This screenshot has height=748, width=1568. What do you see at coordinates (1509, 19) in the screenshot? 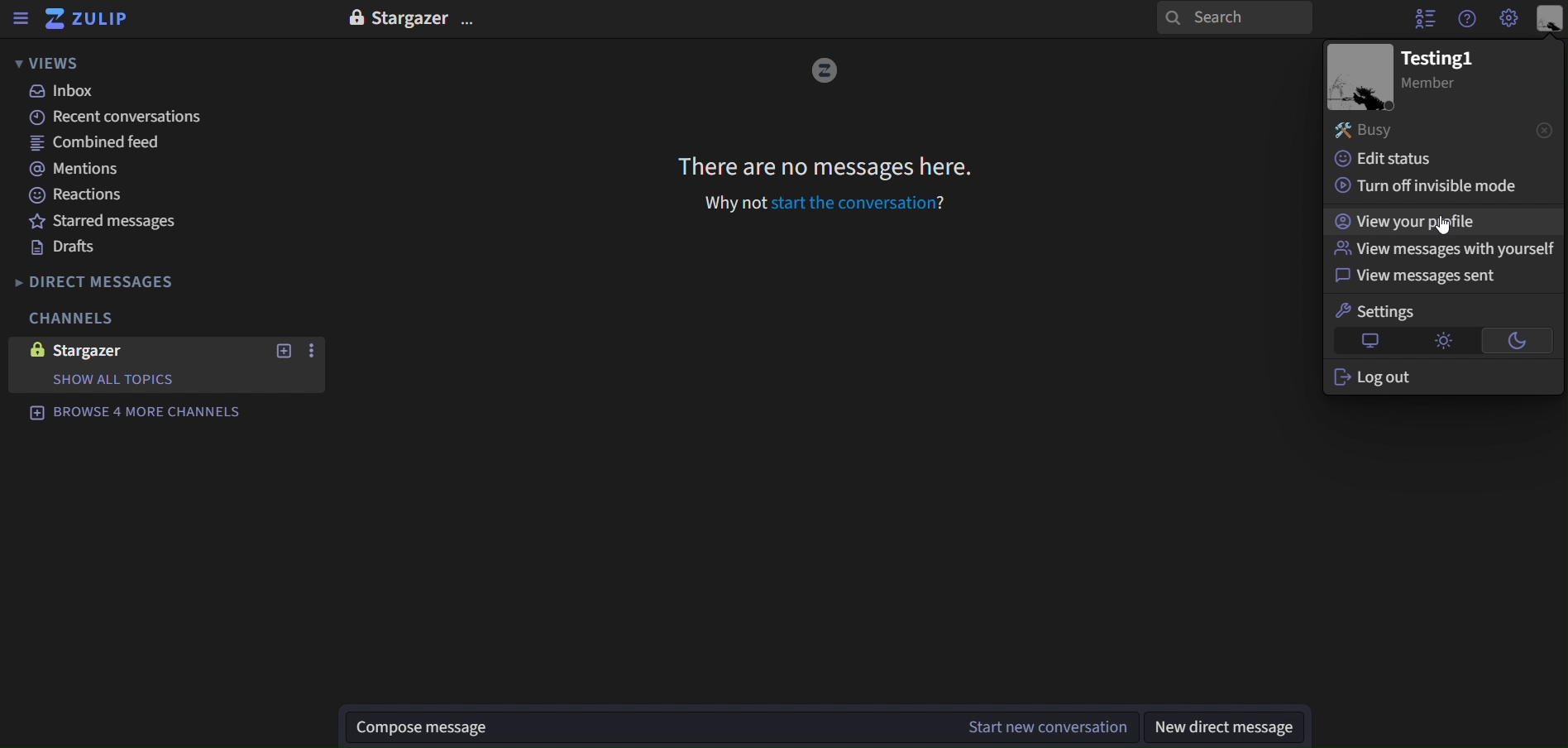
I see `main menu` at bounding box center [1509, 19].